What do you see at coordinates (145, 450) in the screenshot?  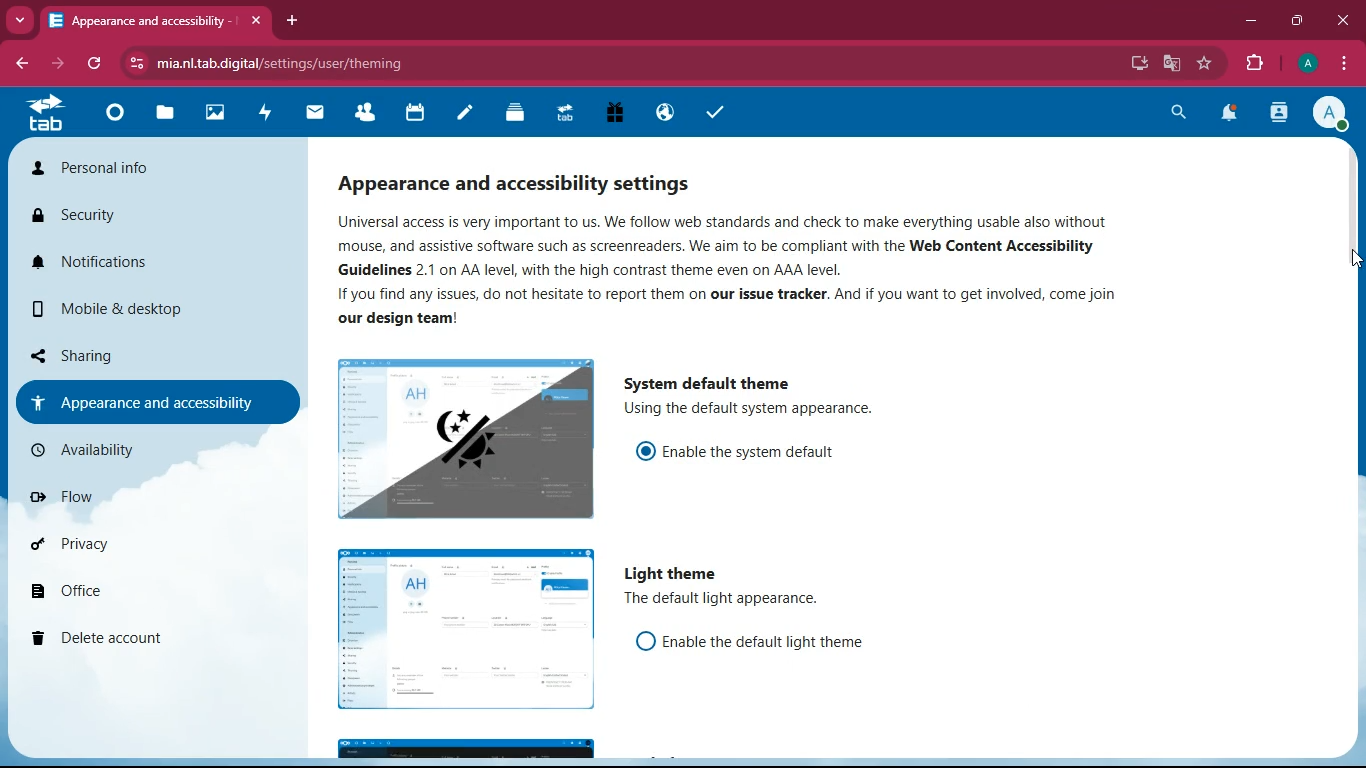 I see `availability` at bounding box center [145, 450].